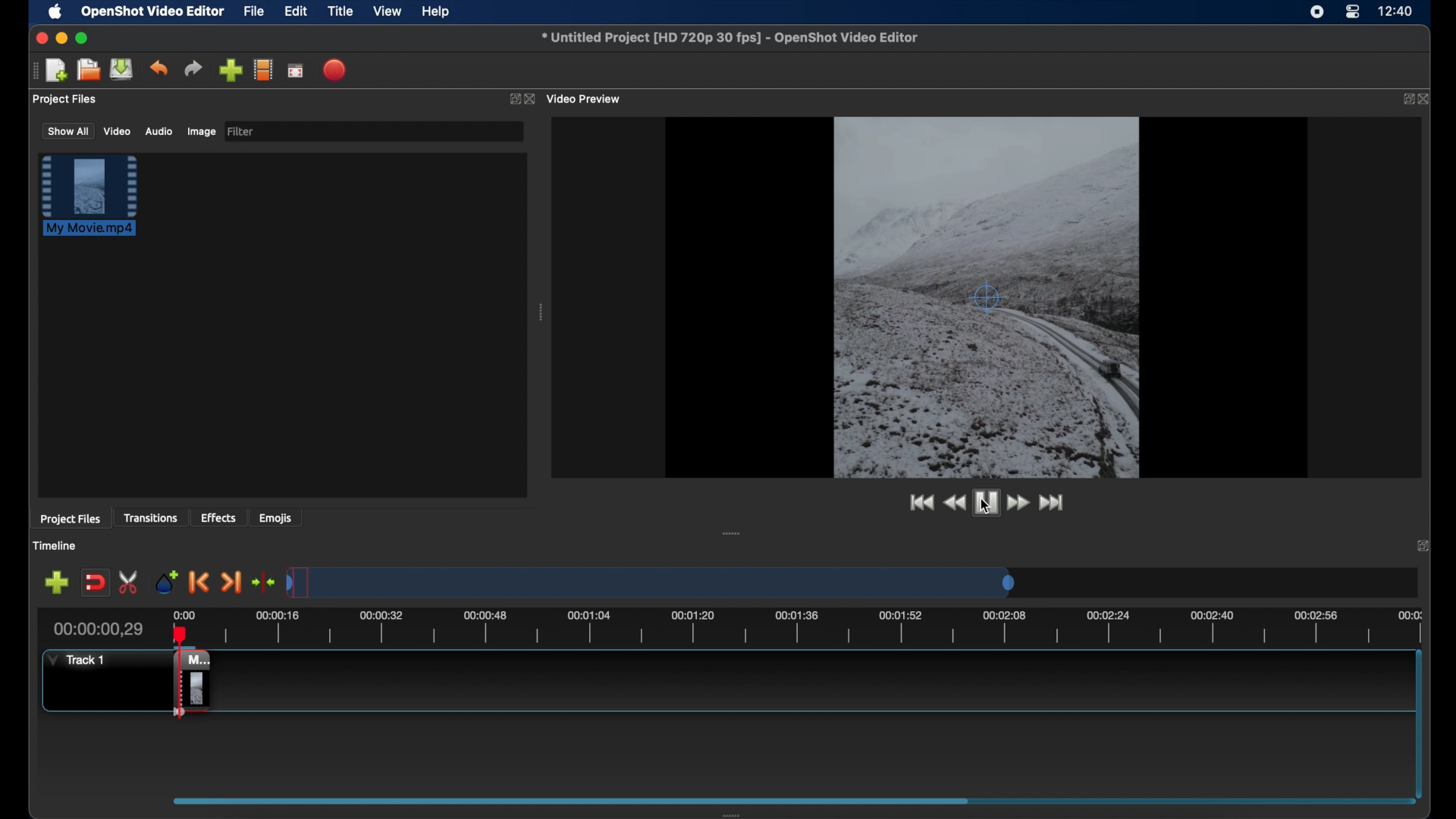 Image resolution: width=1456 pixels, height=819 pixels. What do you see at coordinates (177, 686) in the screenshot?
I see `clip` at bounding box center [177, 686].